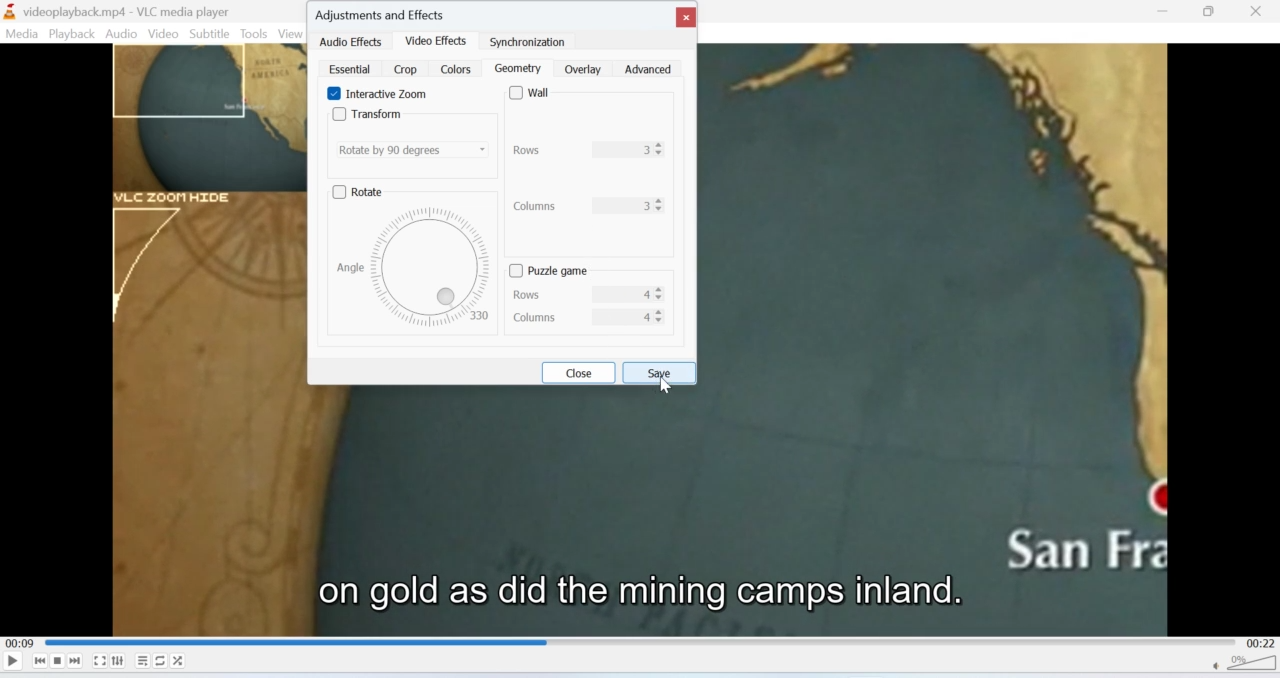  I want to click on Shuffle, so click(179, 661).